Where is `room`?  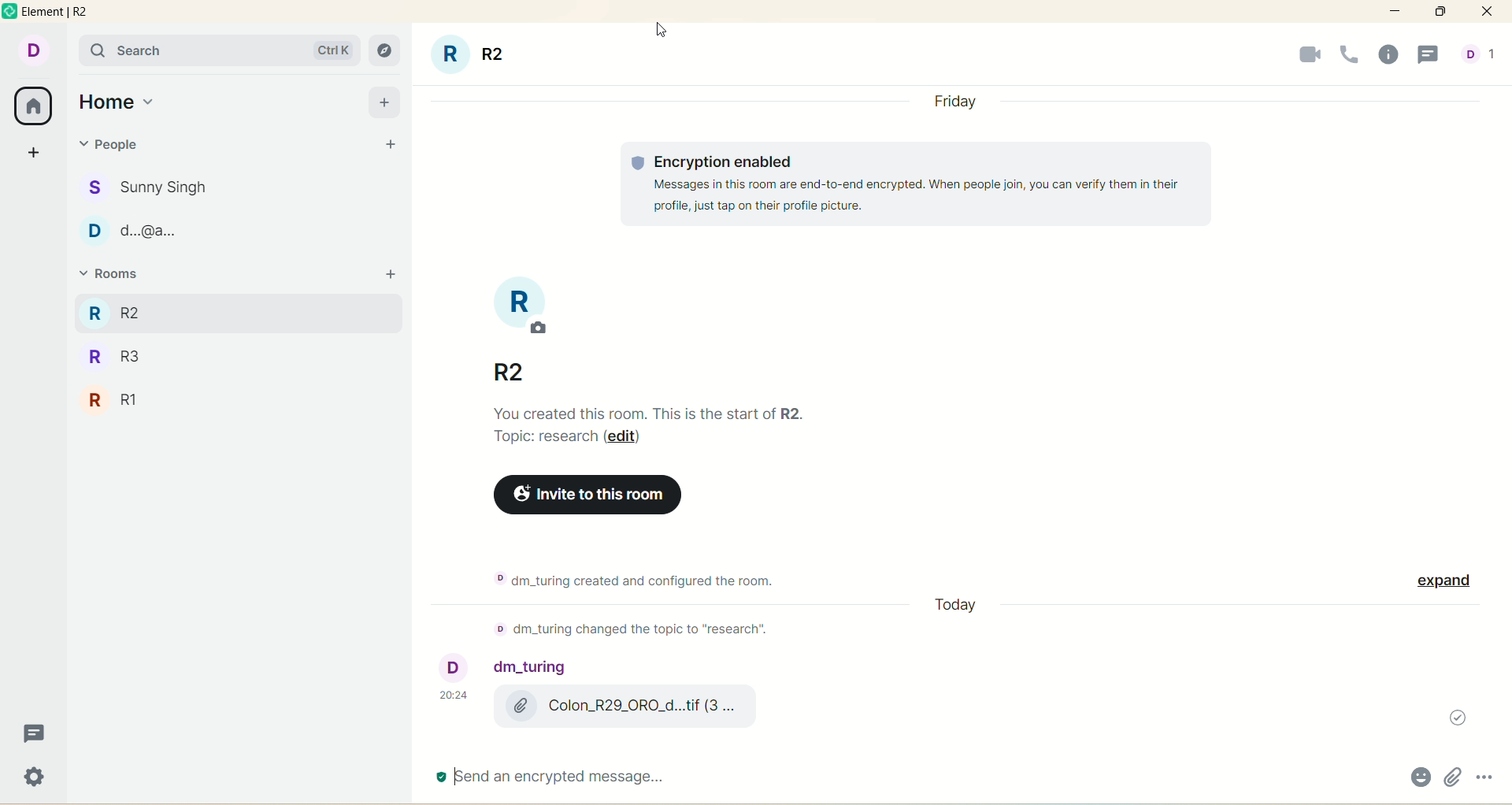 room is located at coordinates (472, 56).